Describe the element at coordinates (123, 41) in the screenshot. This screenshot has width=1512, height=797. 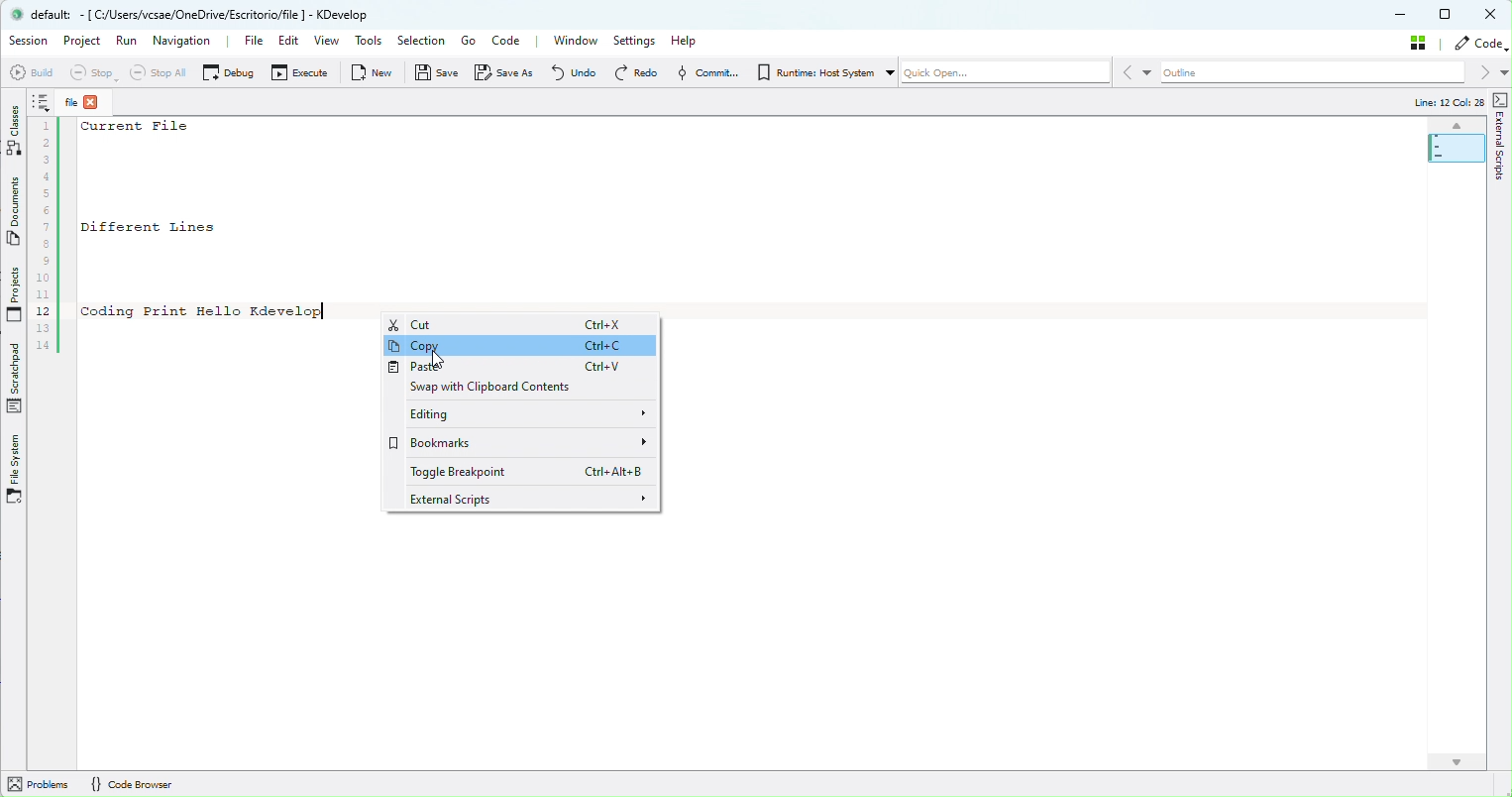
I see `Run` at that location.